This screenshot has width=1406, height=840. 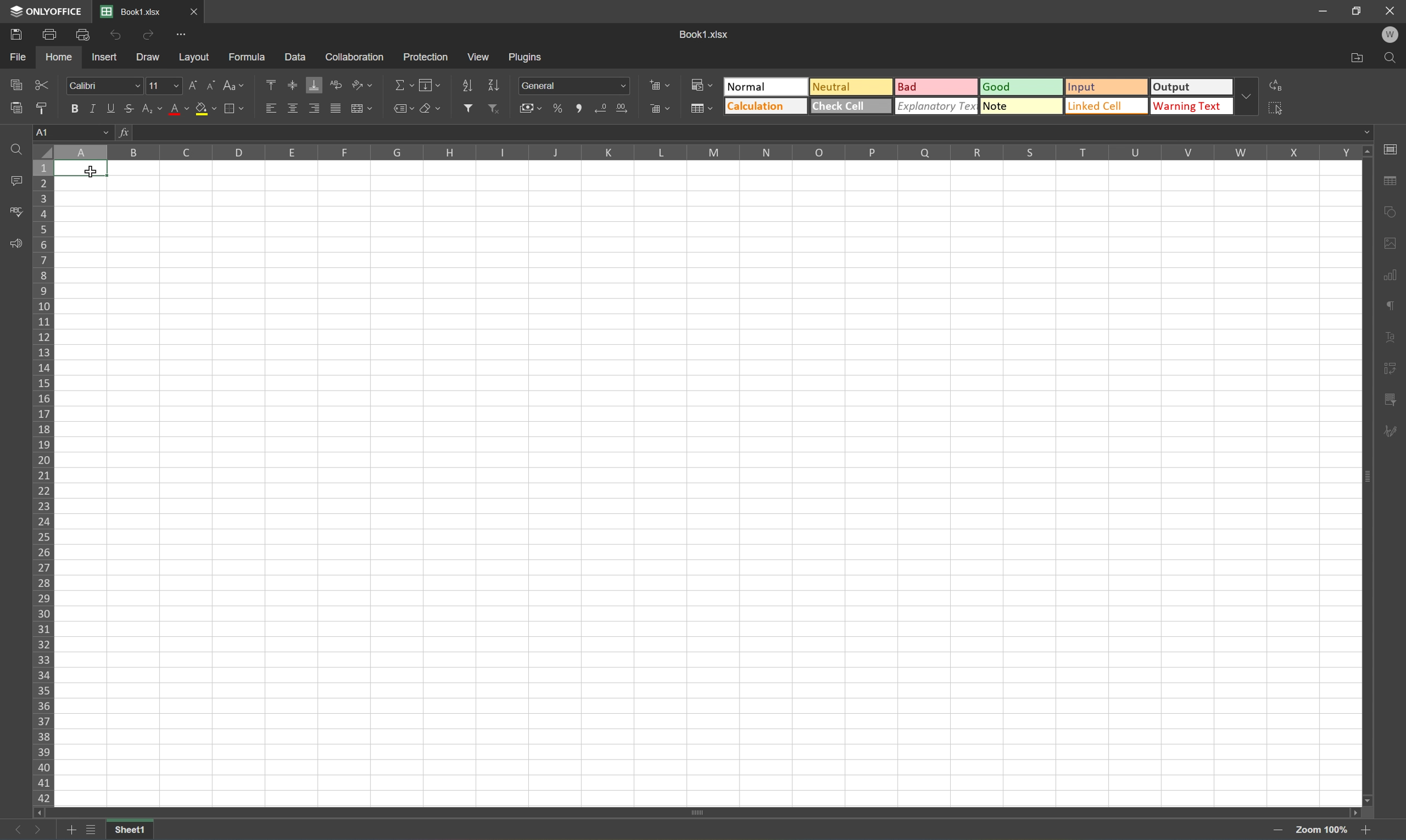 I want to click on Copy style, so click(x=43, y=108).